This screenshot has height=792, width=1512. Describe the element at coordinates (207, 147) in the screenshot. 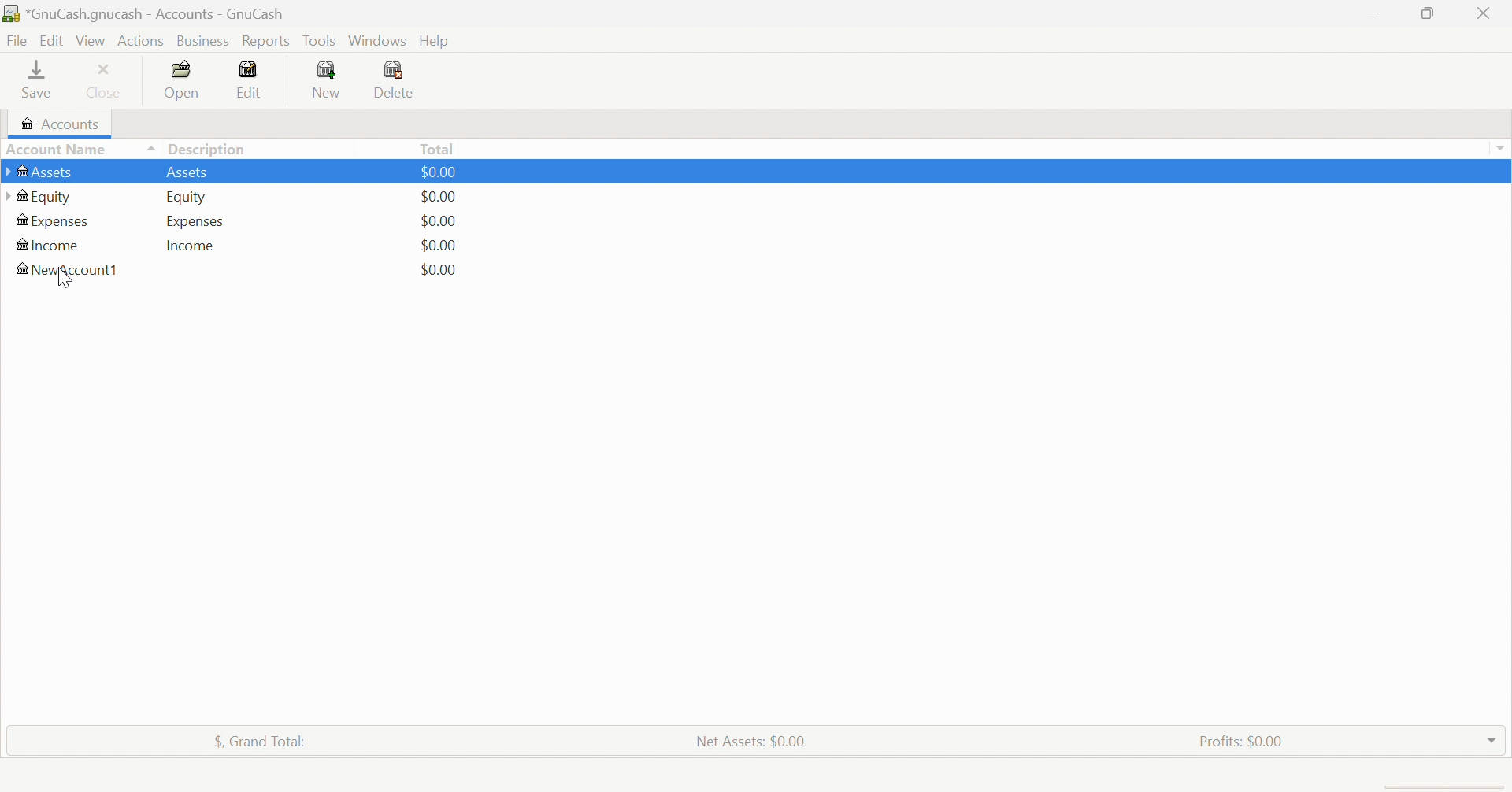

I see `Description` at that location.